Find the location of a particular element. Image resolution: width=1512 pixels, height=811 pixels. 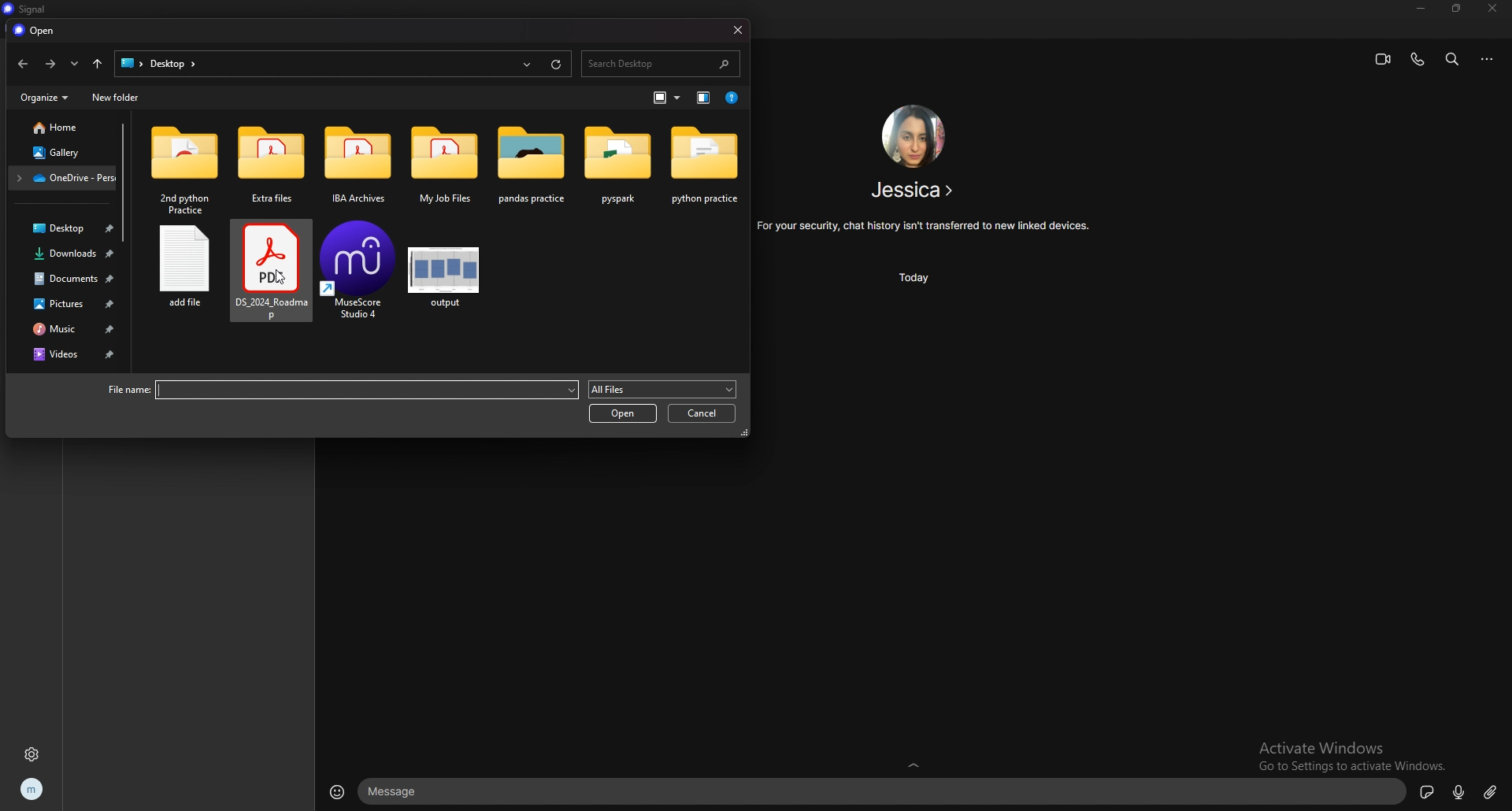

downloads is located at coordinates (65, 254).